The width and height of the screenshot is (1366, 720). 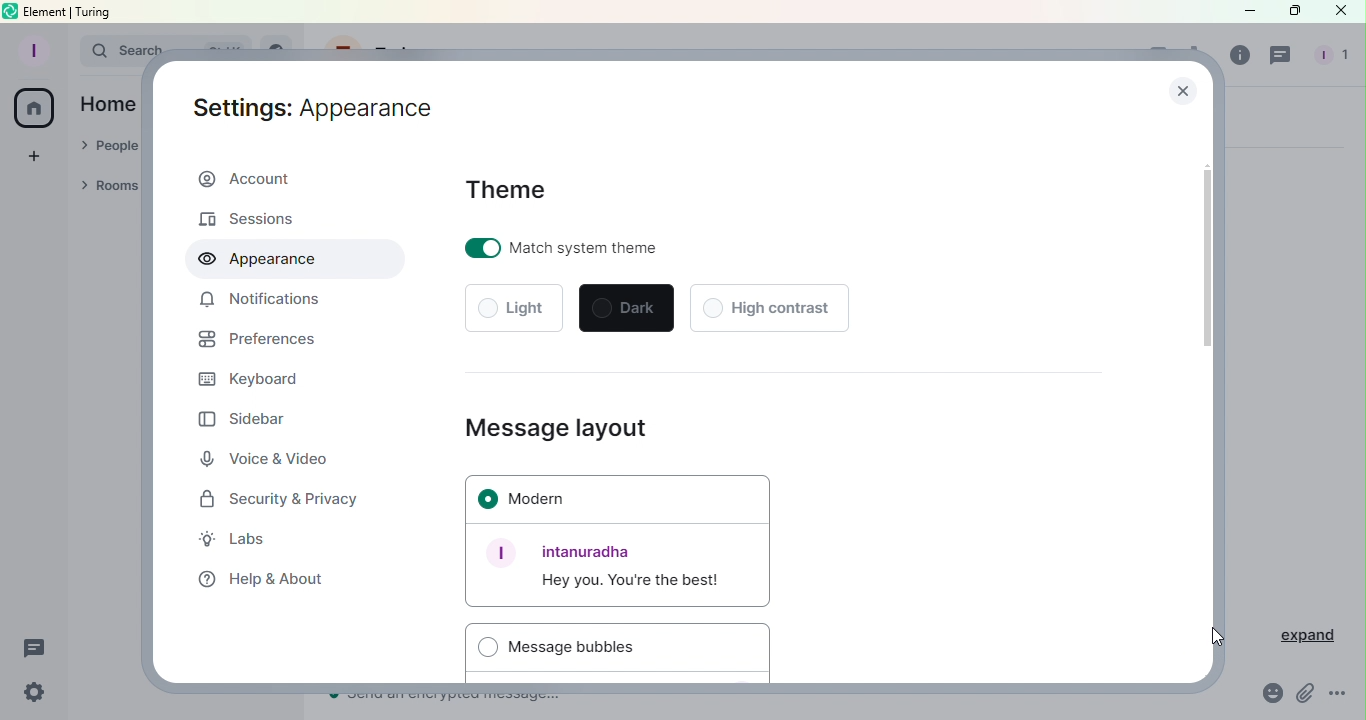 What do you see at coordinates (29, 695) in the screenshot?
I see `Quick settings` at bounding box center [29, 695].